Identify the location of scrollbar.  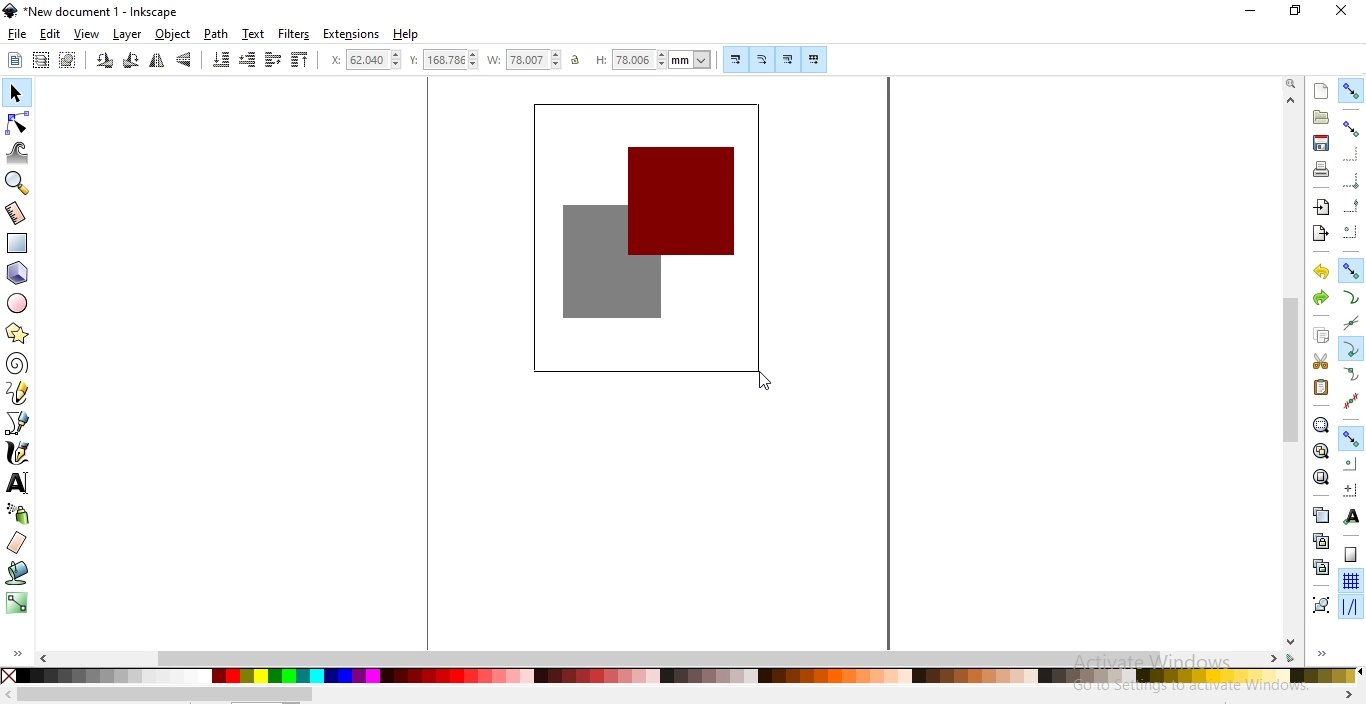
(165, 695).